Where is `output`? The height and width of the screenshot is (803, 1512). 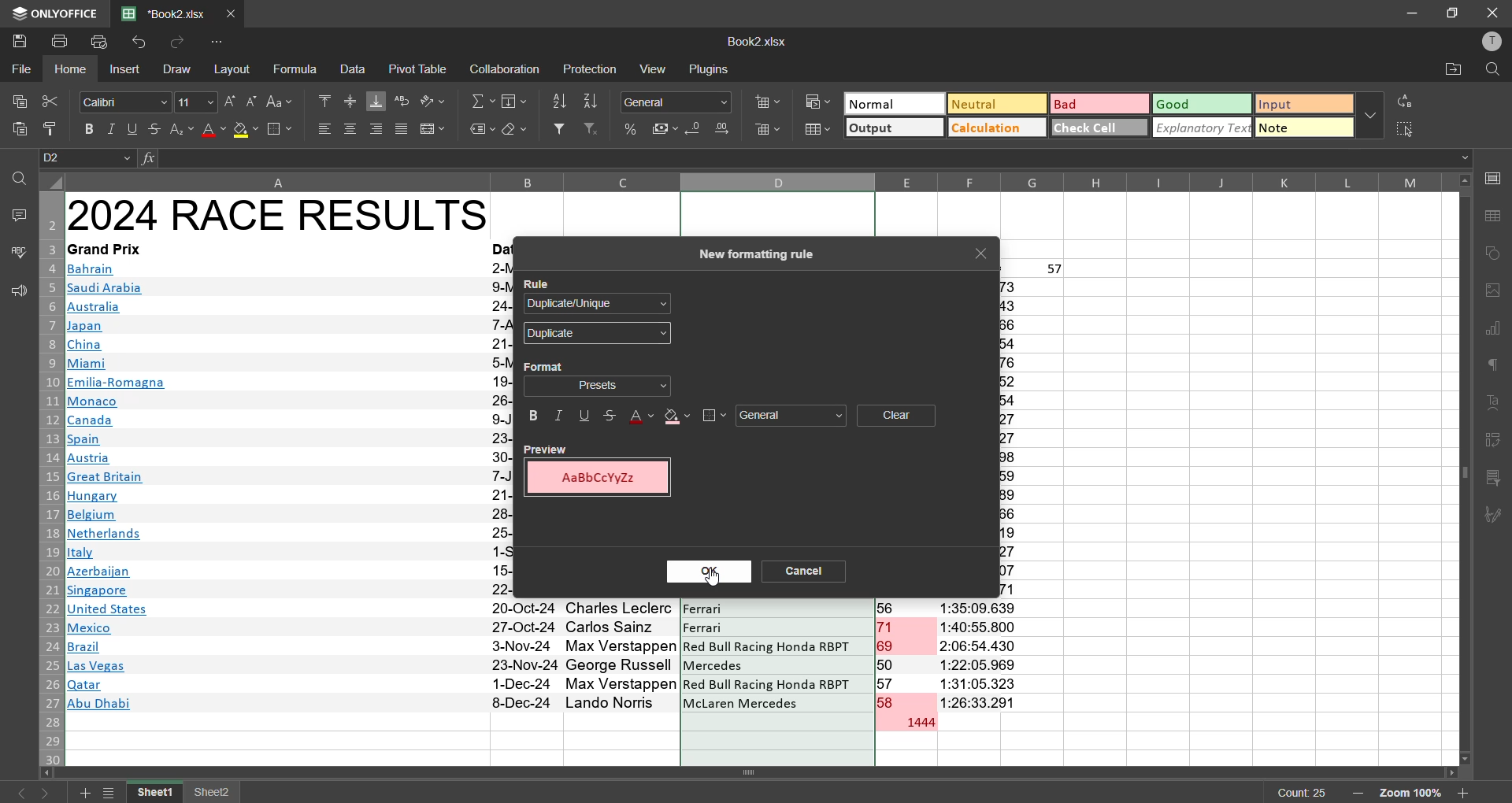
output is located at coordinates (892, 130).